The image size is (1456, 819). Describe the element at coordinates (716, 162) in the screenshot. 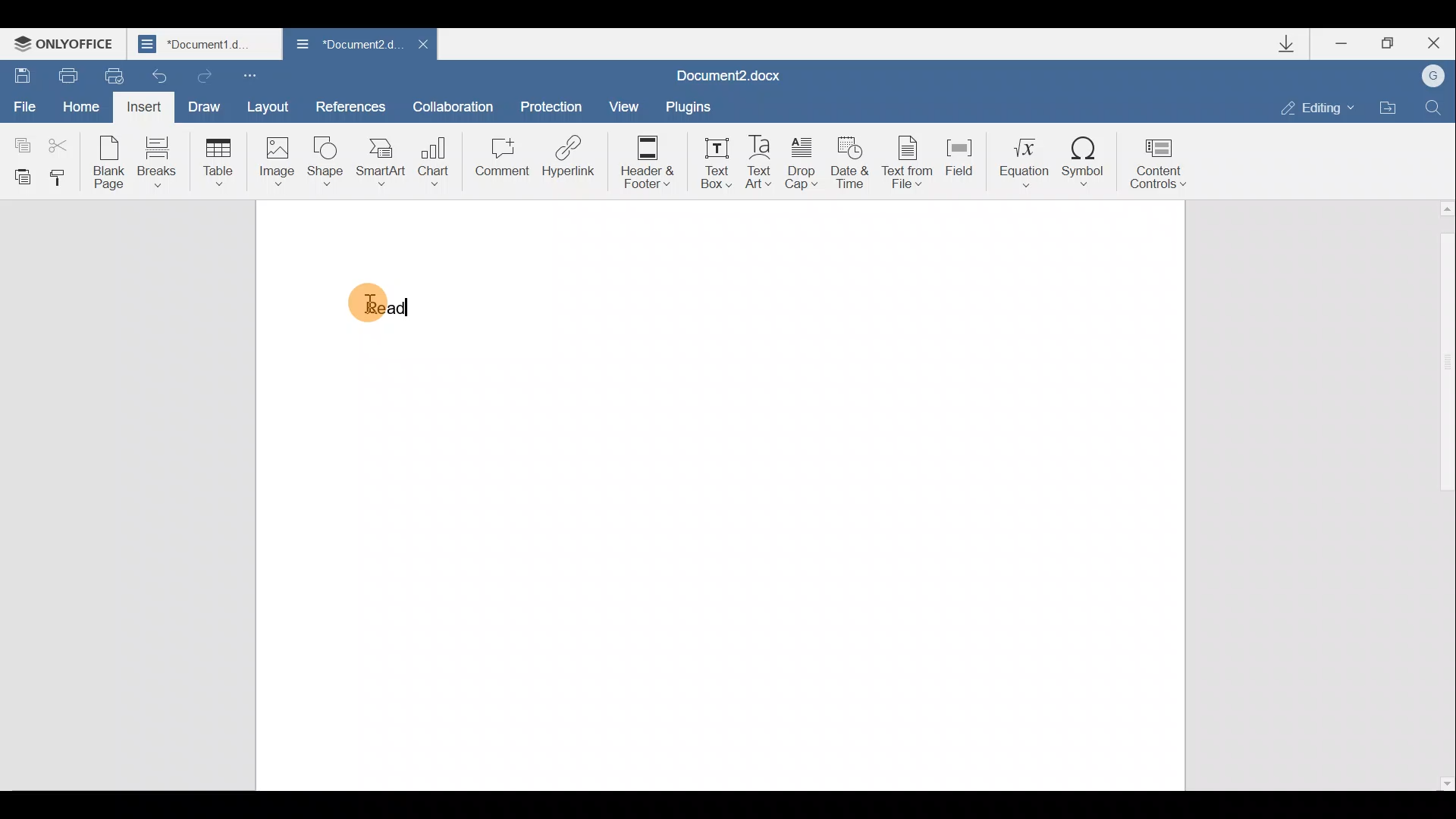

I see `Text box` at that location.